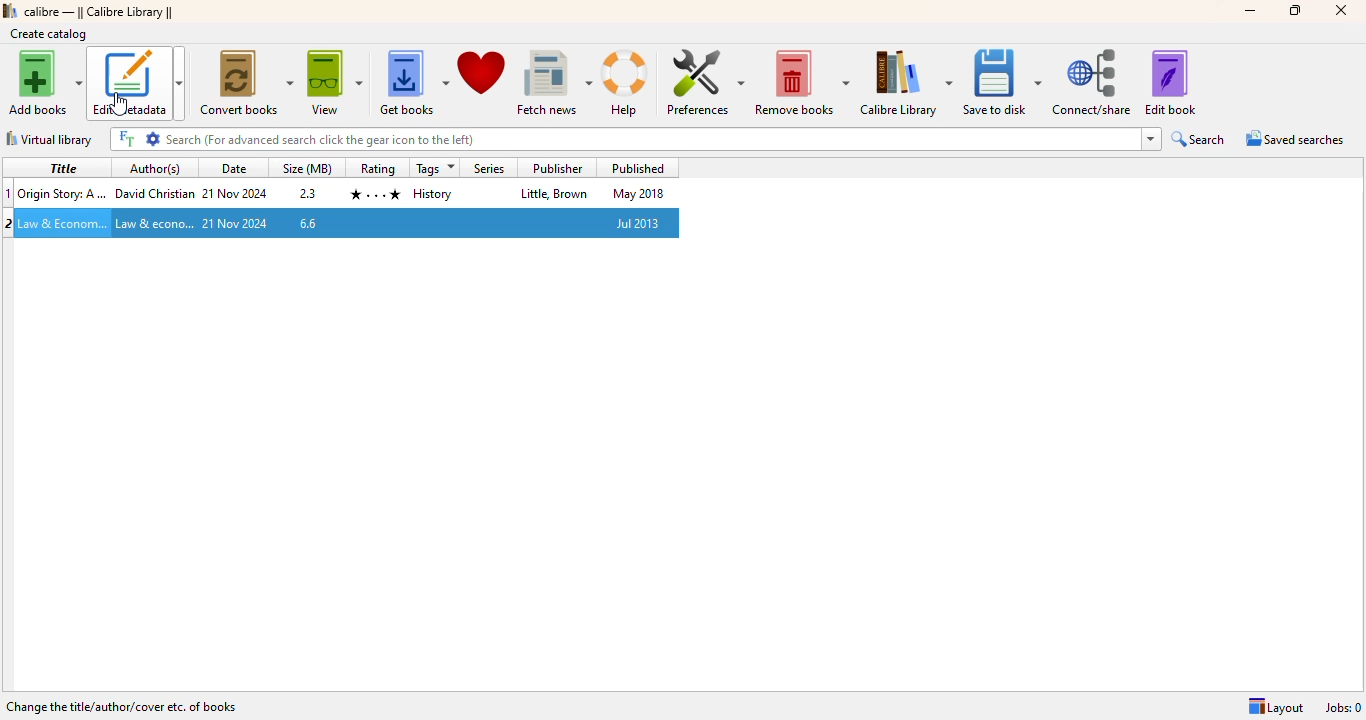  Describe the element at coordinates (638, 194) in the screenshot. I see `published date` at that location.